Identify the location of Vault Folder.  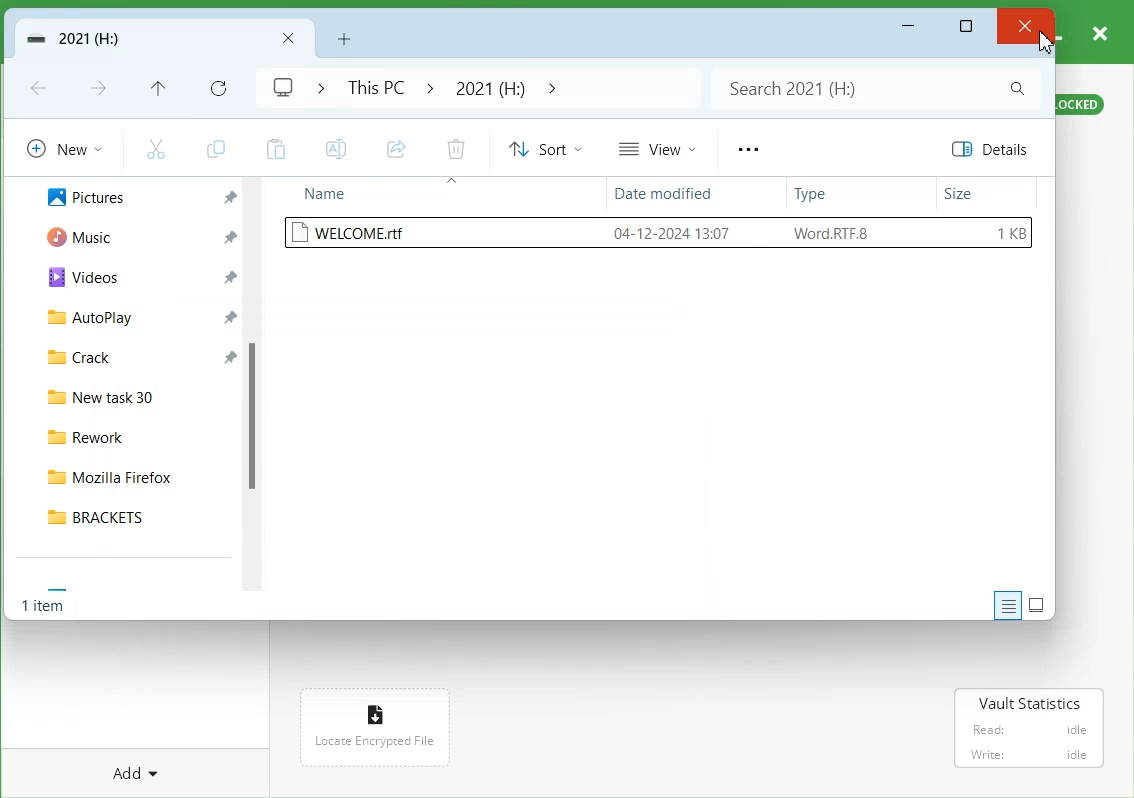
(129, 39).